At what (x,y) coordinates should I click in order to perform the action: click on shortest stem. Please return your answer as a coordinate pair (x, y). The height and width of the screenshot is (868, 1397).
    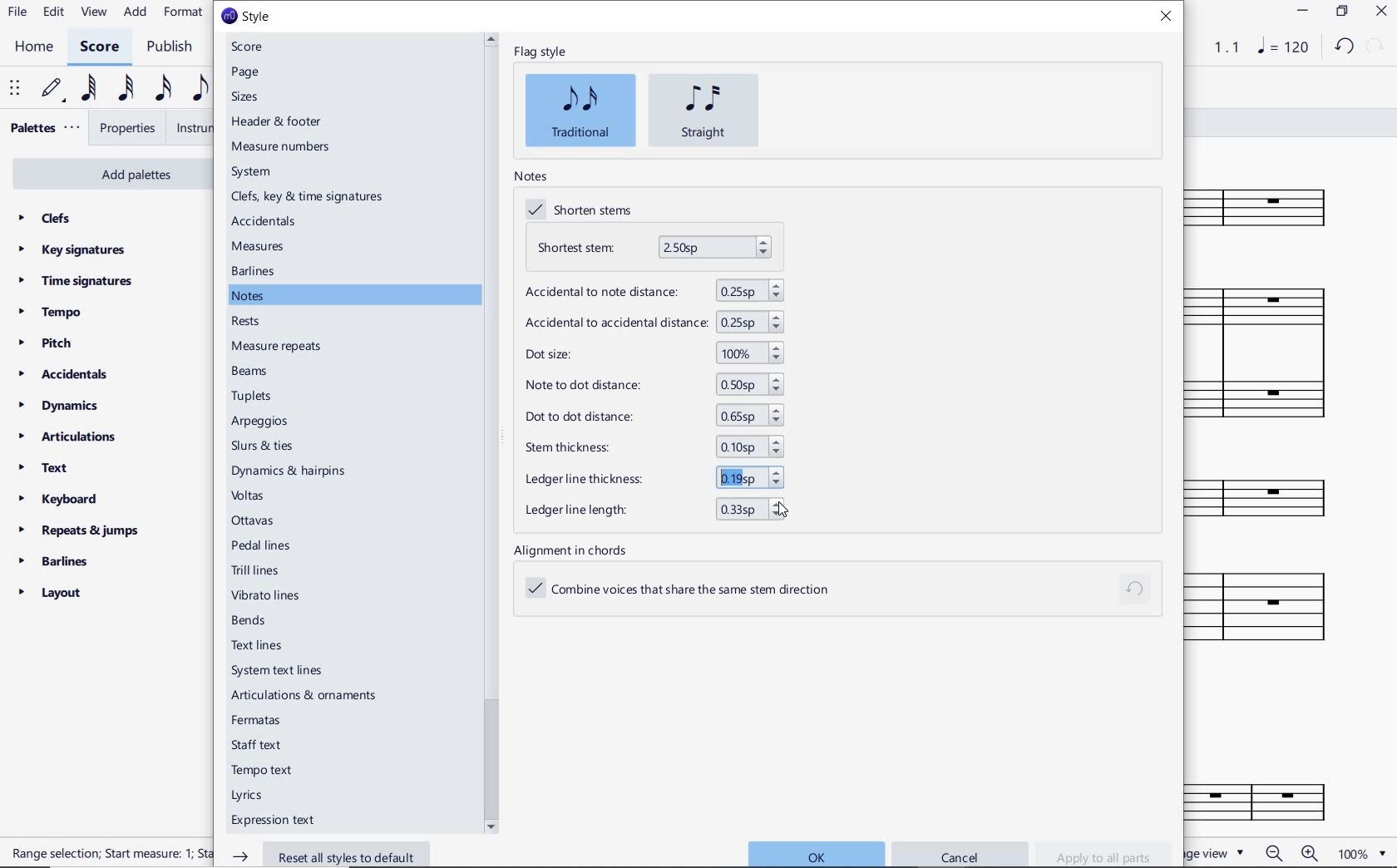
    Looking at the image, I should click on (654, 248).